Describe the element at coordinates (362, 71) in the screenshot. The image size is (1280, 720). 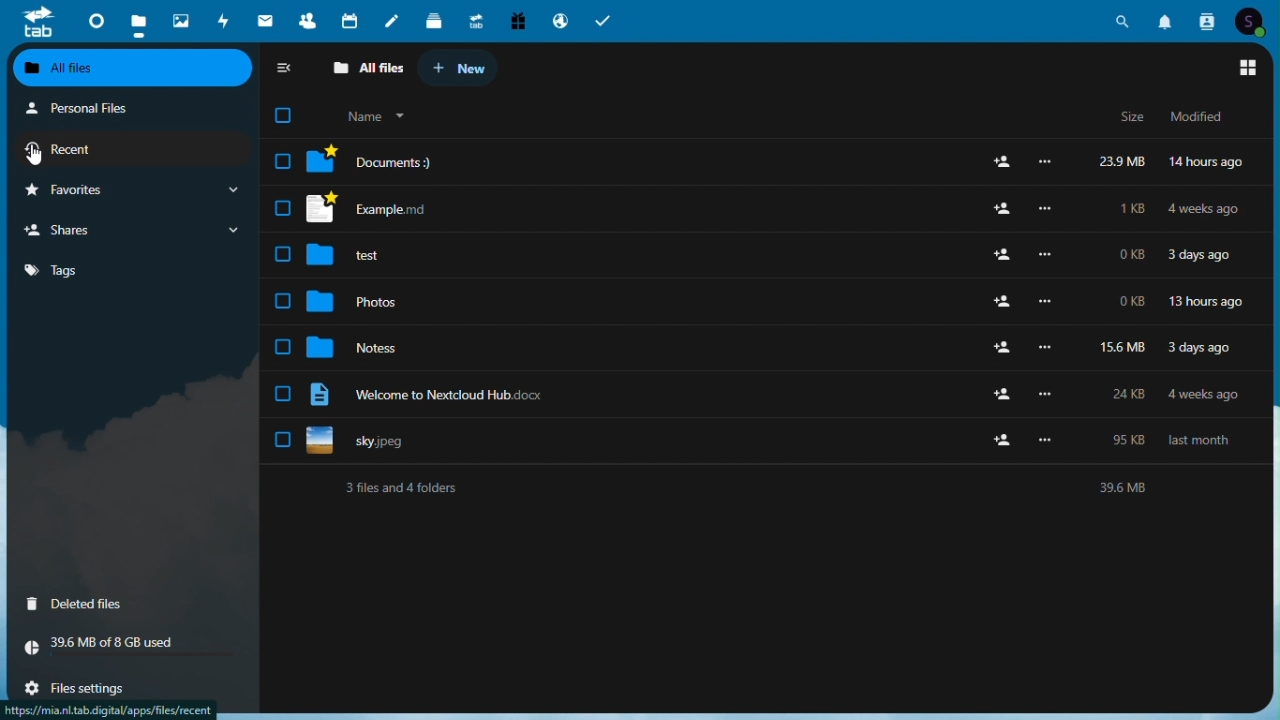
I see `all files` at that location.